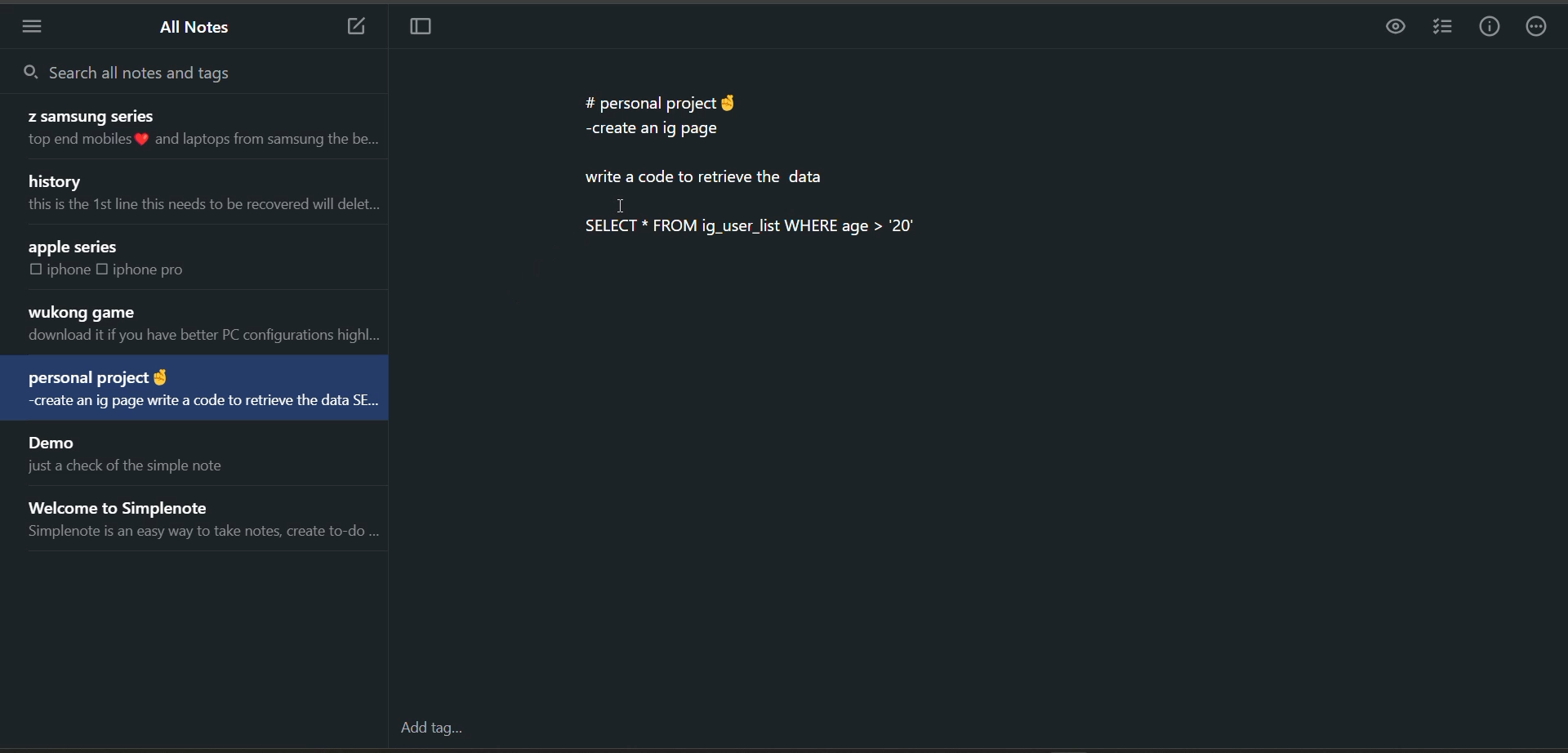 The image size is (1568, 753). I want to click on note title  and preview, so click(169, 259).